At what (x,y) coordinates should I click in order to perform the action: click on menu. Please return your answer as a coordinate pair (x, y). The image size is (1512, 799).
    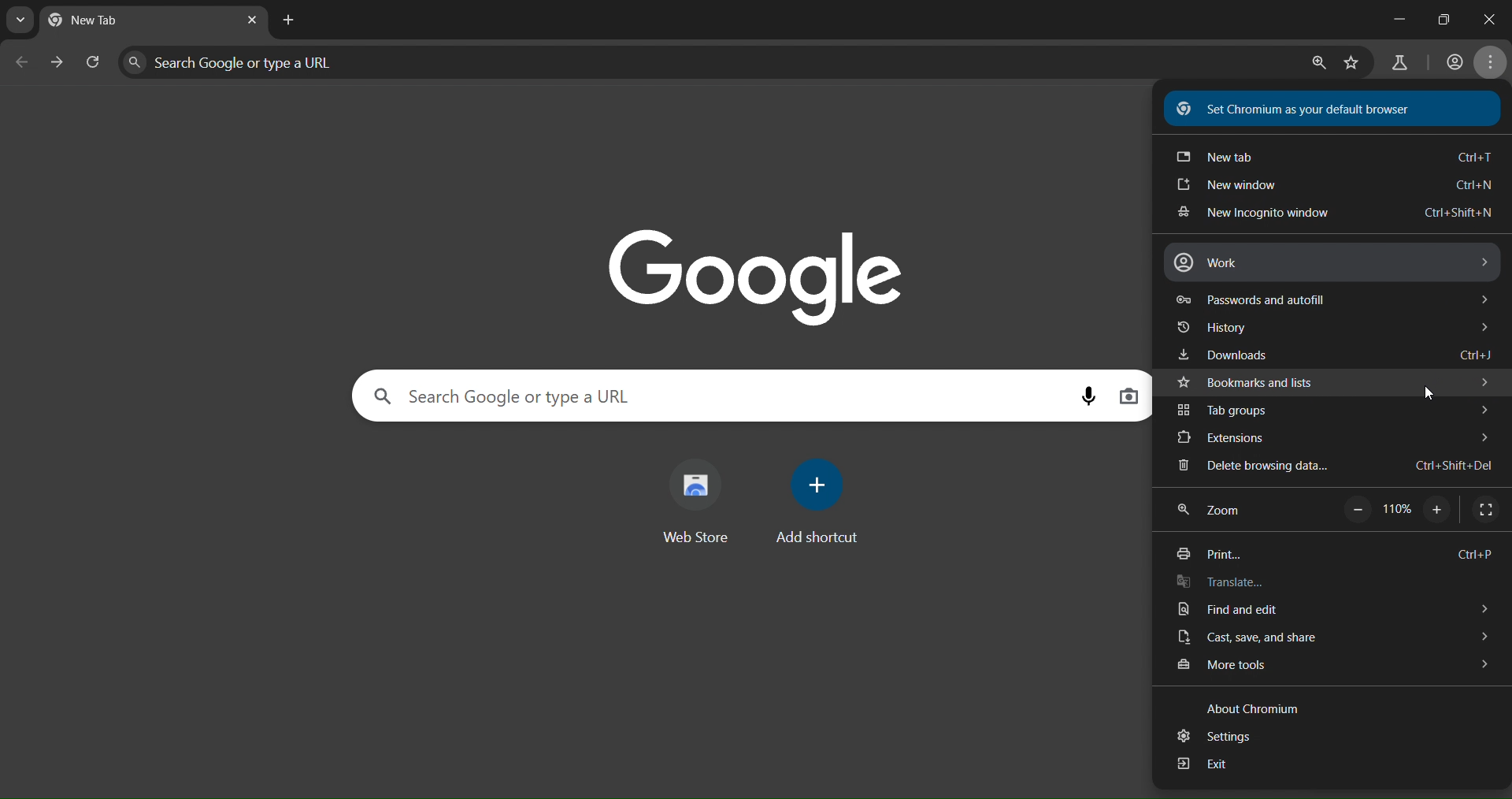
    Looking at the image, I should click on (1494, 64).